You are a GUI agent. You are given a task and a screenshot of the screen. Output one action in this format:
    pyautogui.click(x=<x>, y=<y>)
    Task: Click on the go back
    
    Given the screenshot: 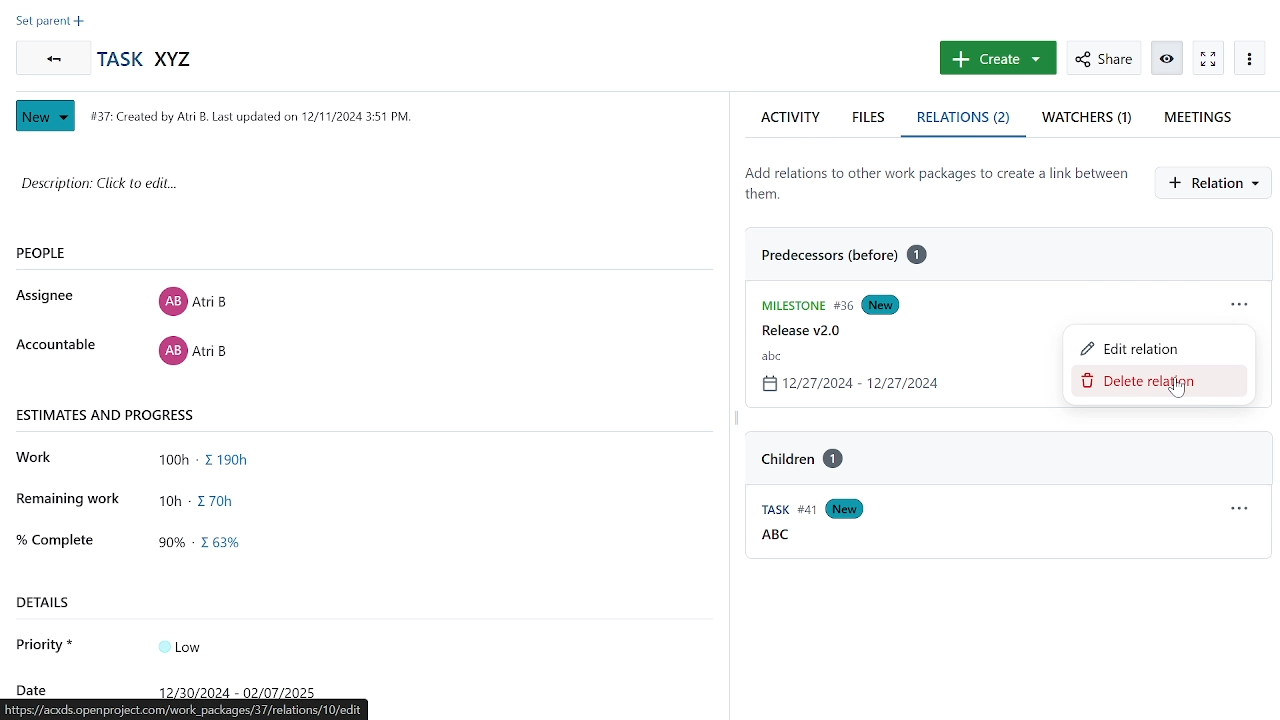 What is the action you would take?
    pyautogui.click(x=50, y=58)
    